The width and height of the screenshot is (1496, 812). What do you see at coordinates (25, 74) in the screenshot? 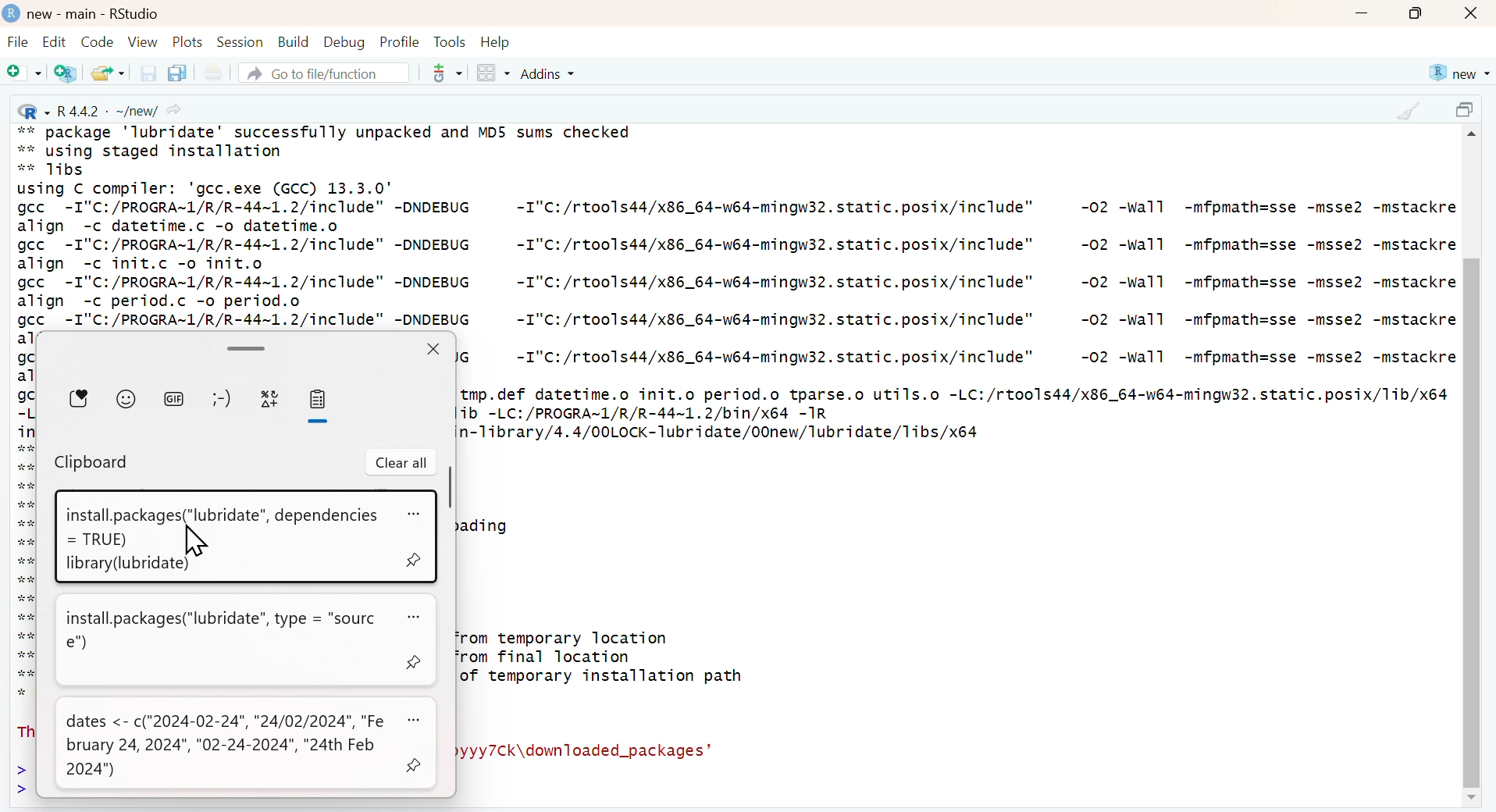
I see `New file` at bounding box center [25, 74].